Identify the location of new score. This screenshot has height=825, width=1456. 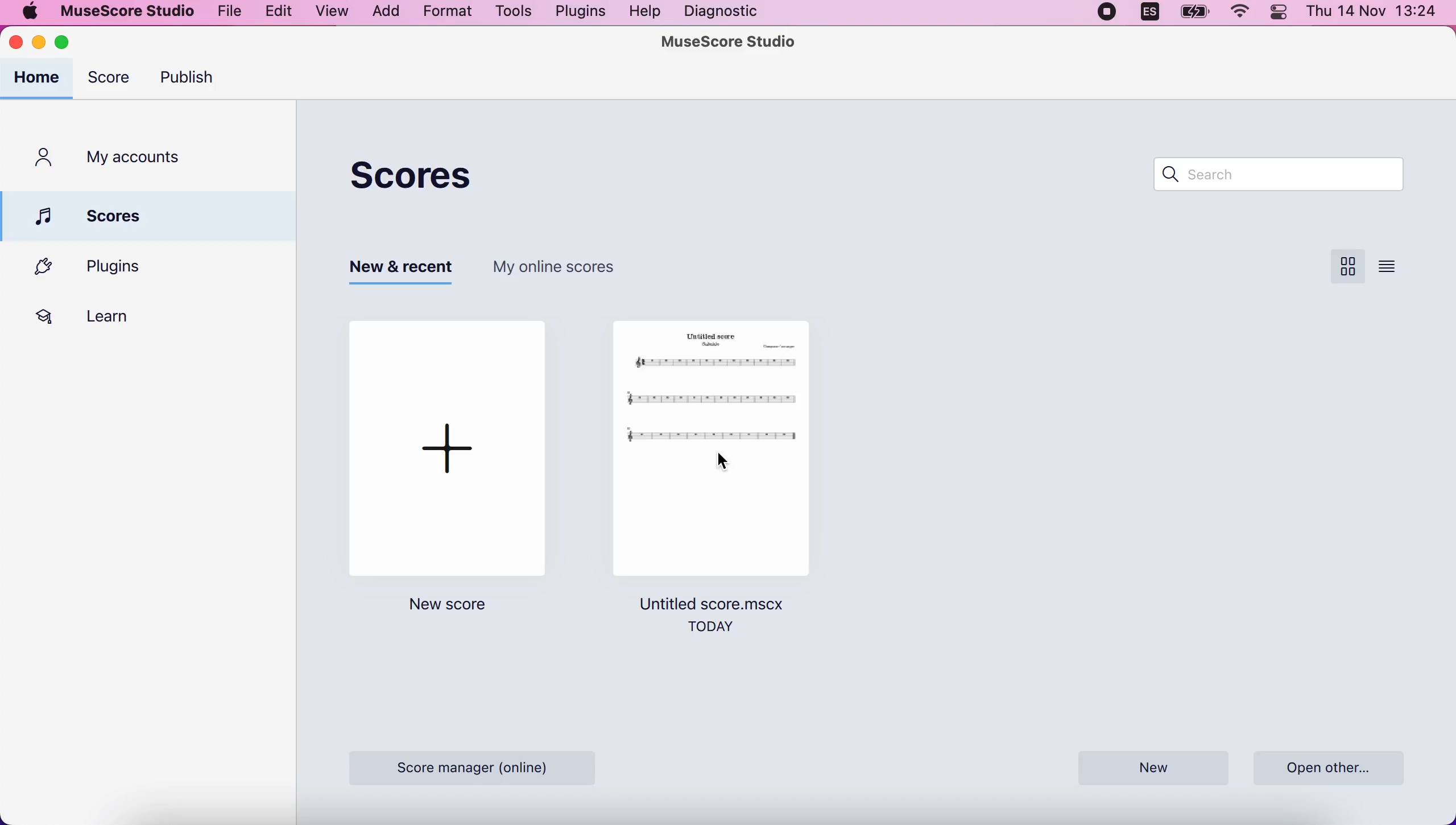
(452, 607).